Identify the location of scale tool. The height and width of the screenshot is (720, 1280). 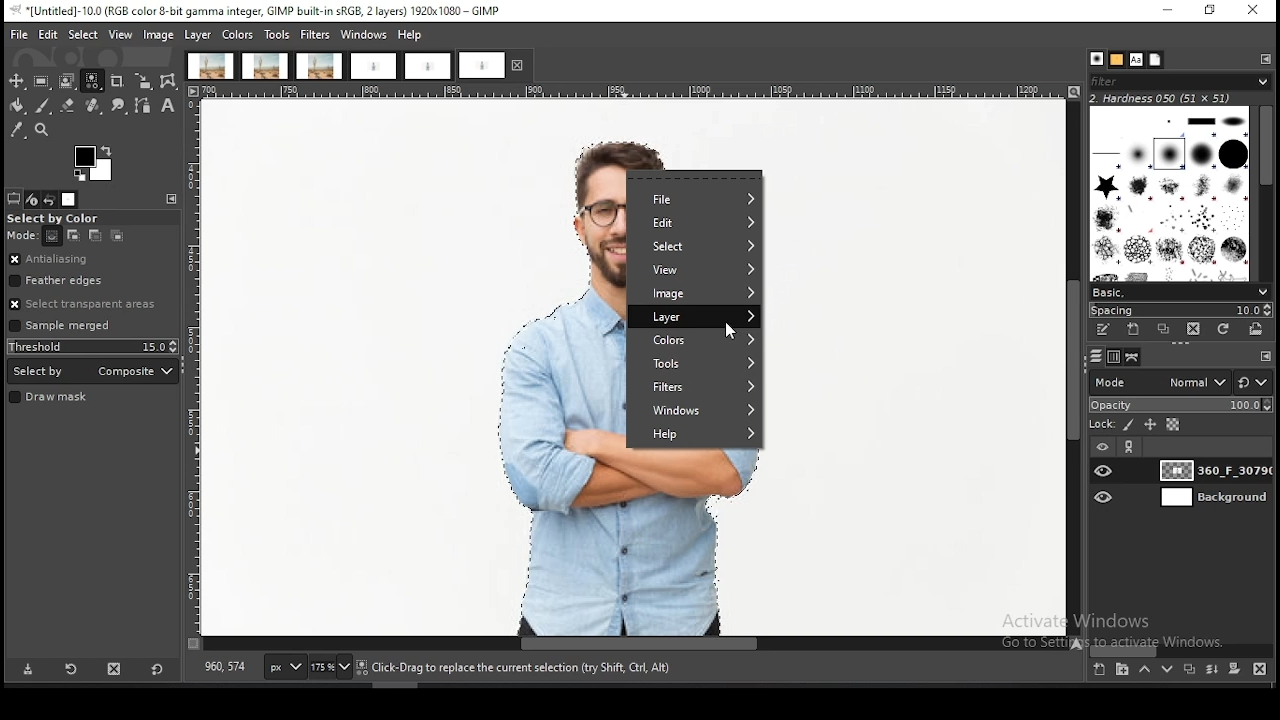
(143, 82).